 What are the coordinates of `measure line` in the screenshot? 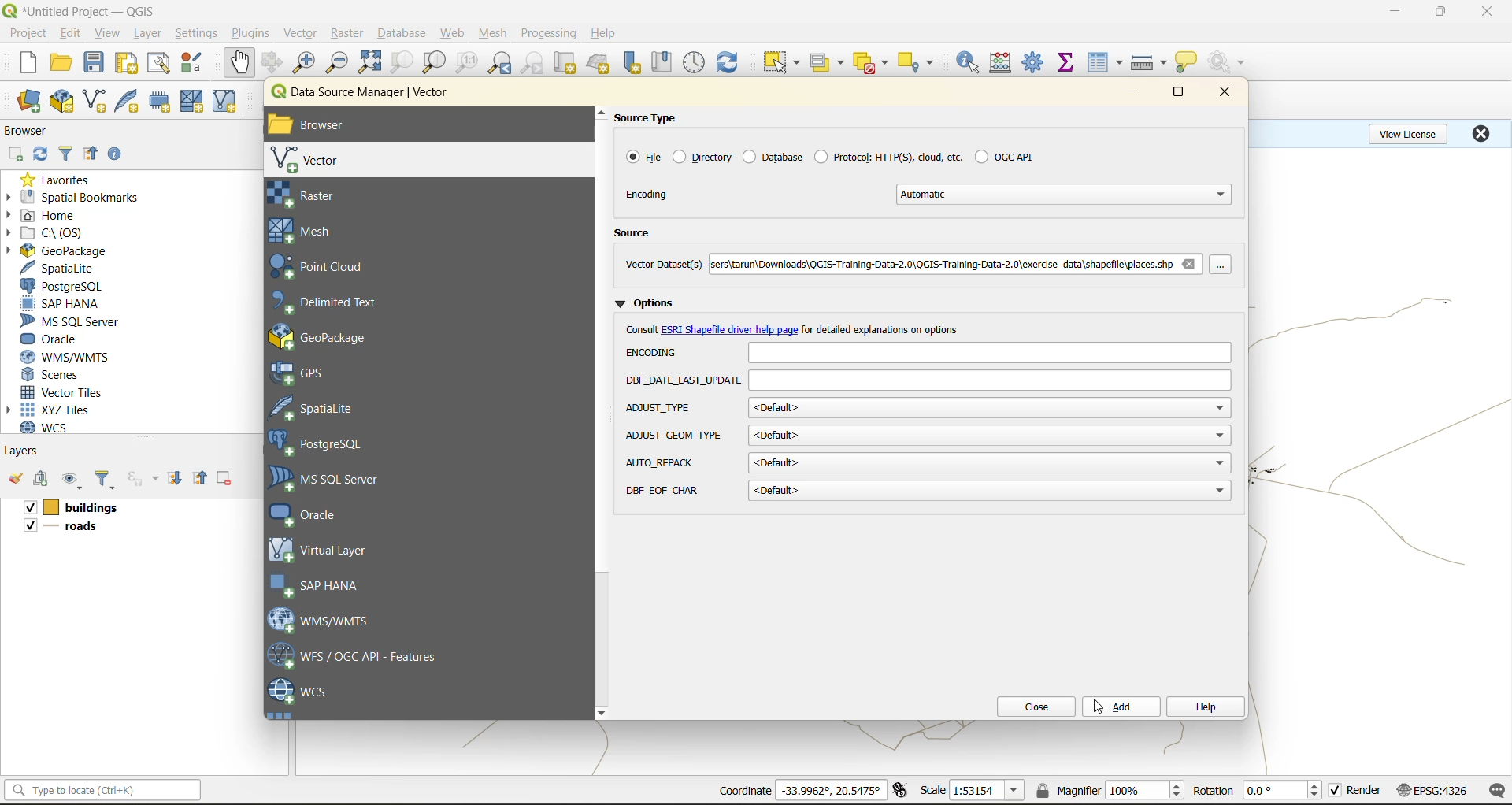 It's located at (1151, 63).